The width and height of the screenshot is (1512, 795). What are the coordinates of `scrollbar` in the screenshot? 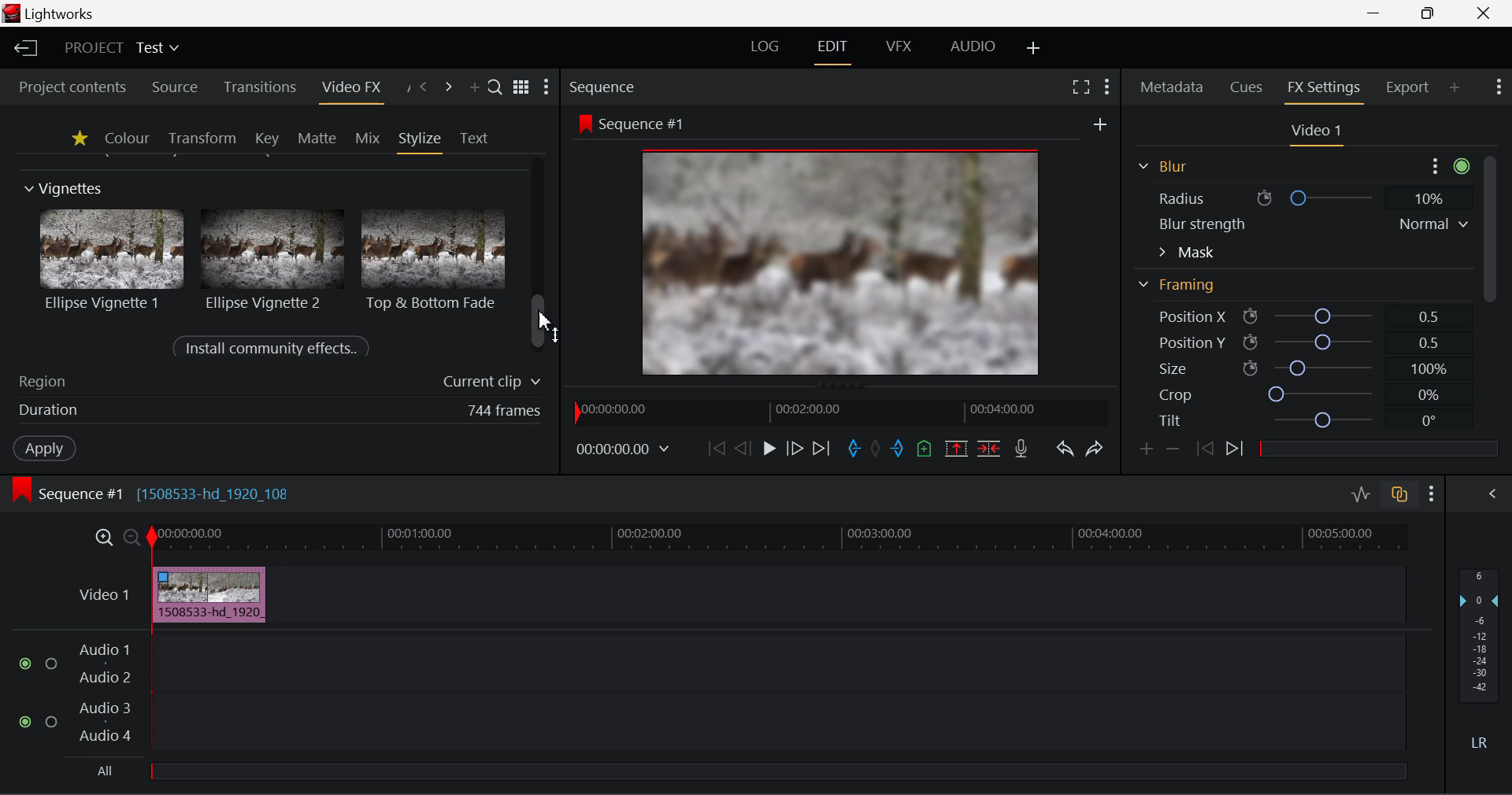 It's located at (540, 322).